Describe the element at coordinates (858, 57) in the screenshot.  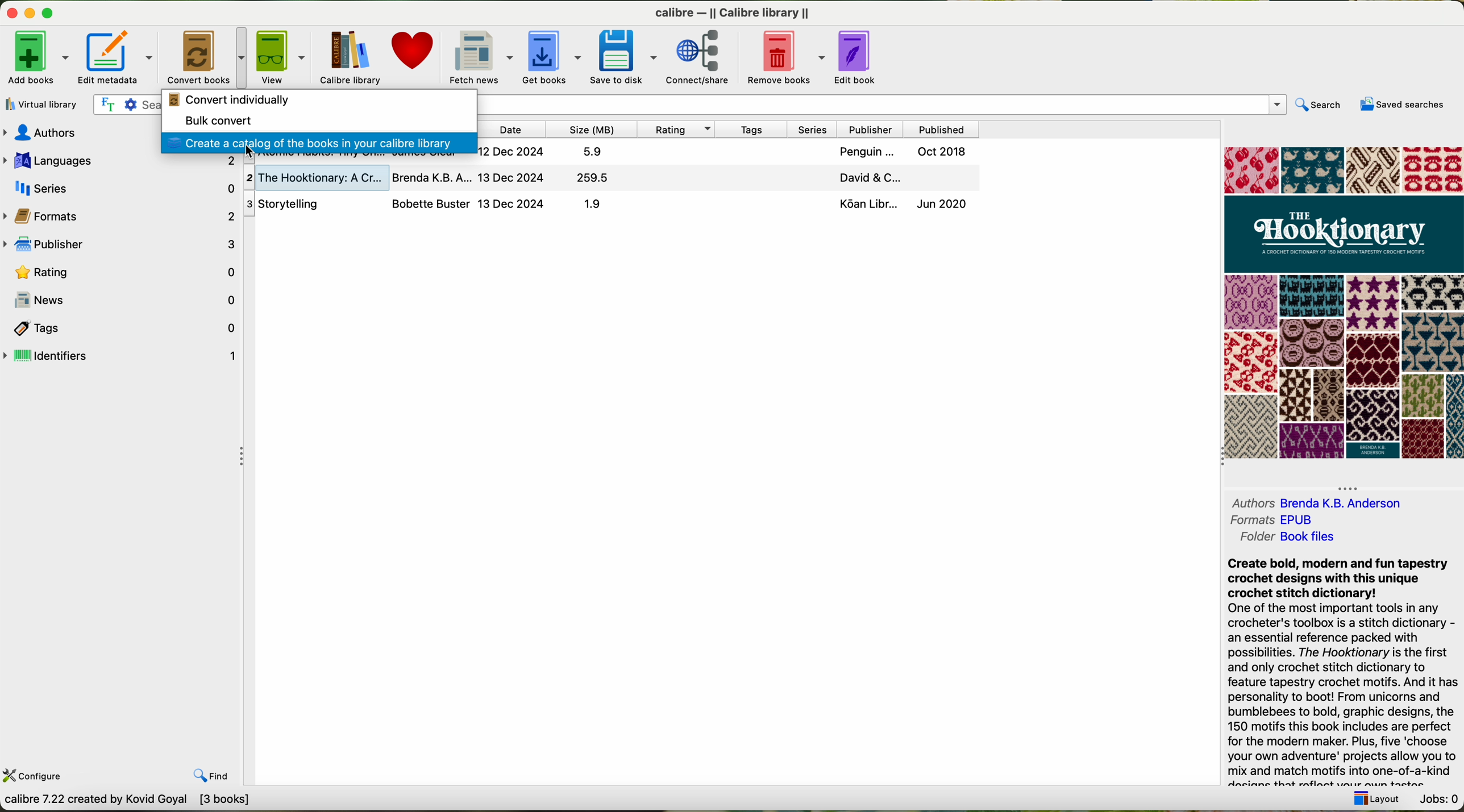
I see `edit book` at that location.